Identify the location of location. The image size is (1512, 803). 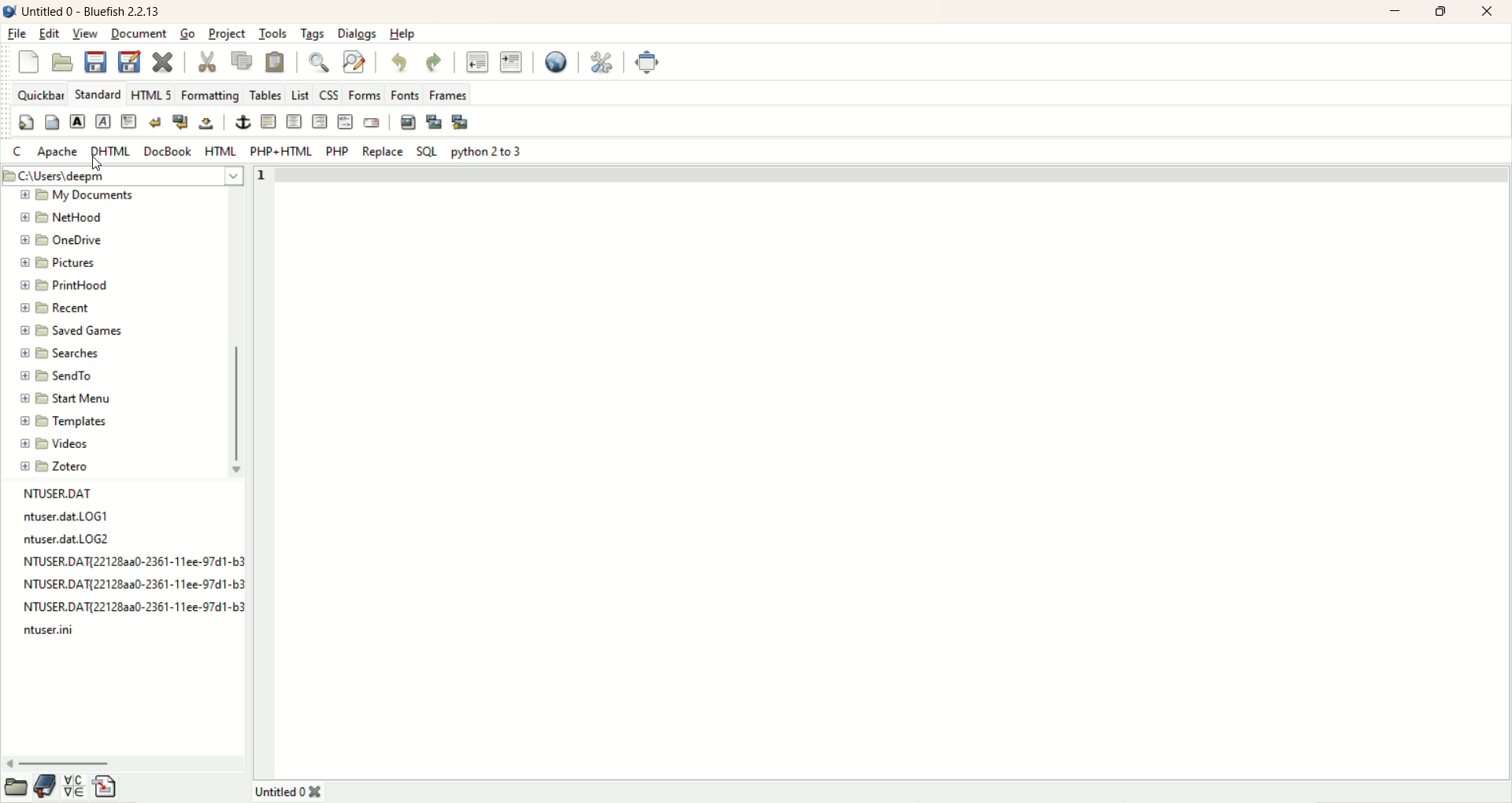
(124, 176).